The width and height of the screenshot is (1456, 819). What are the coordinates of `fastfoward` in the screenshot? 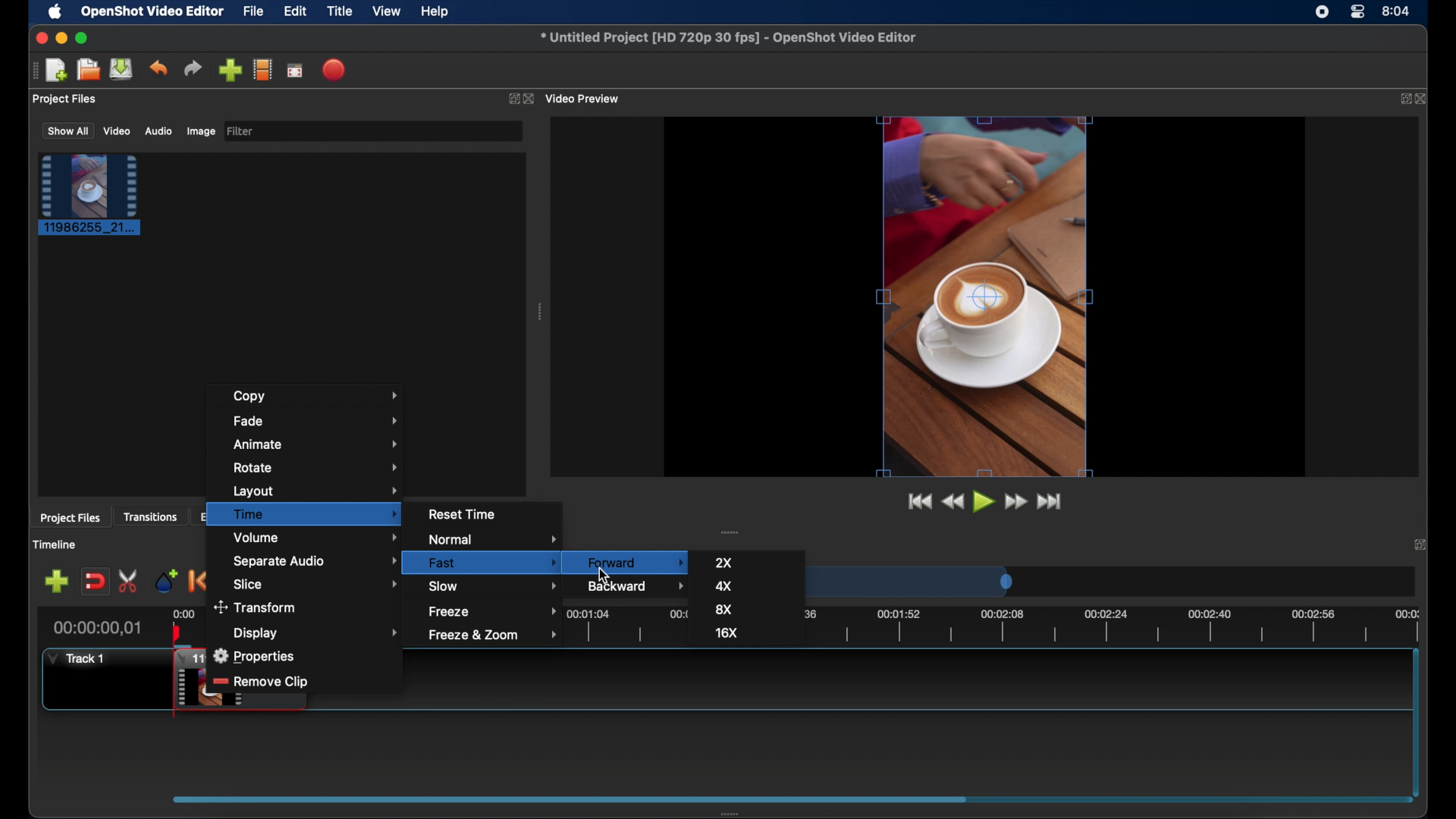 It's located at (1017, 501).